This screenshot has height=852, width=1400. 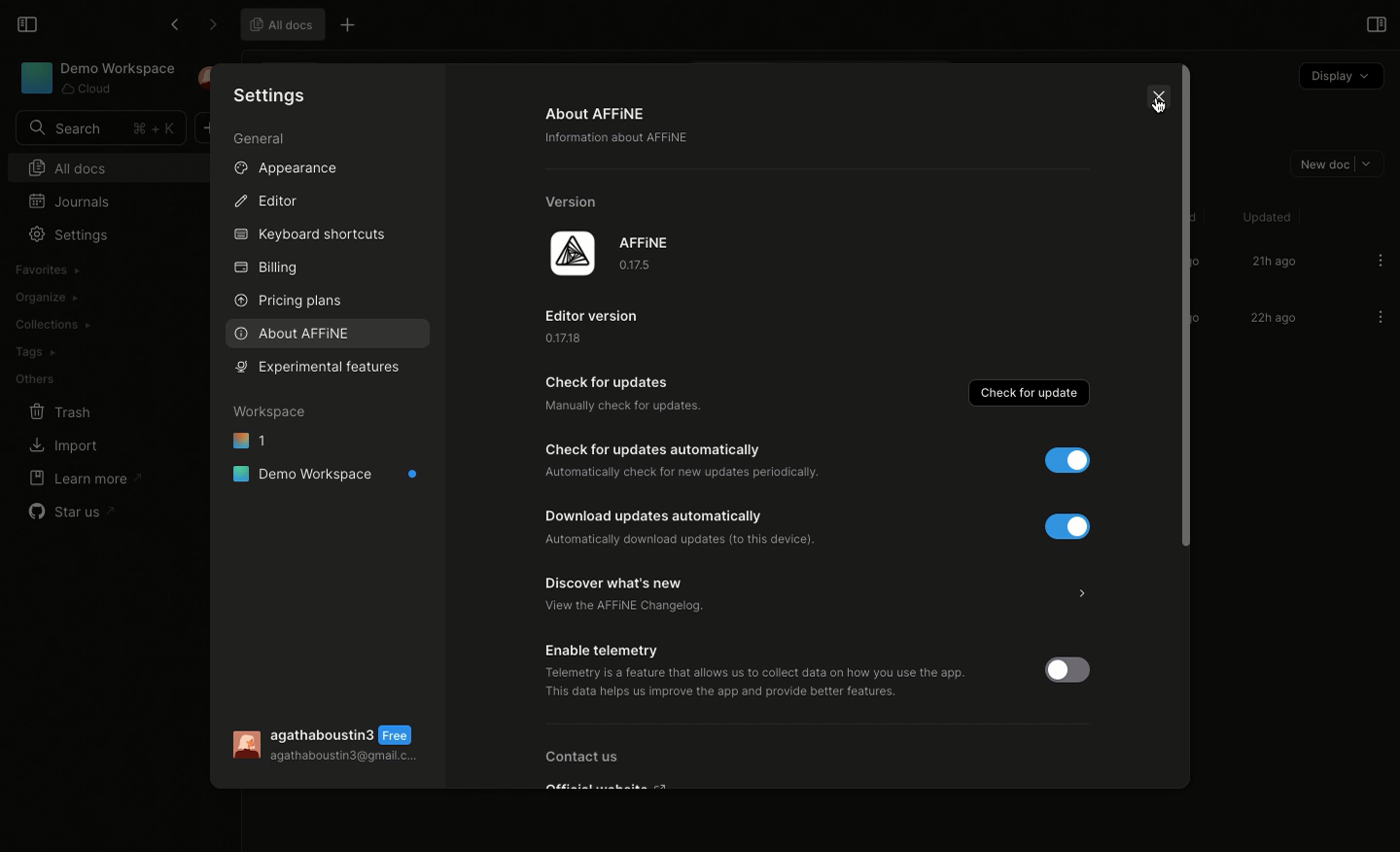 What do you see at coordinates (74, 512) in the screenshot?
I see `Star us` at bounding box center [74, 512].